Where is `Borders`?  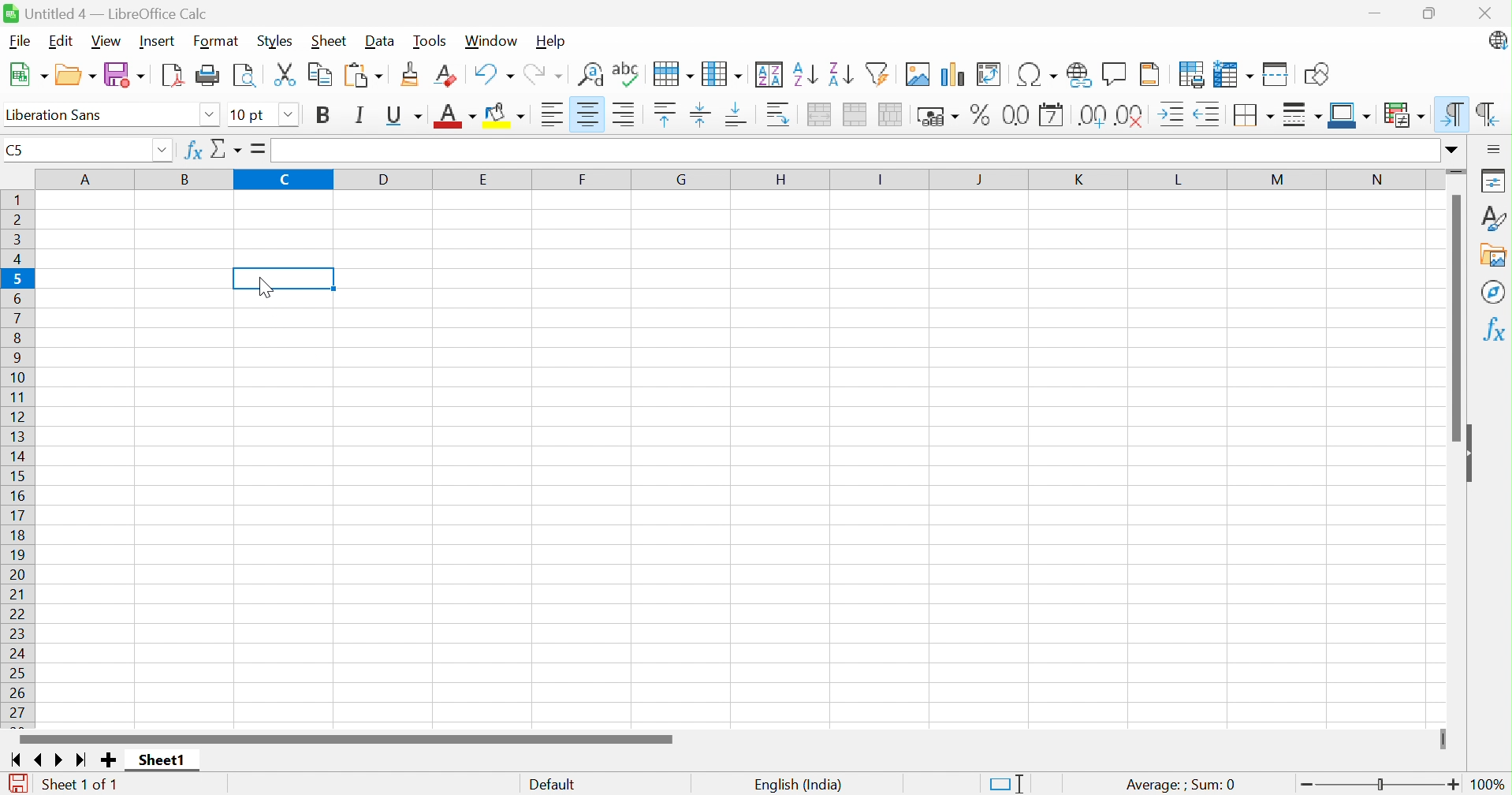 Borders is located at coordinates (1254, 114).